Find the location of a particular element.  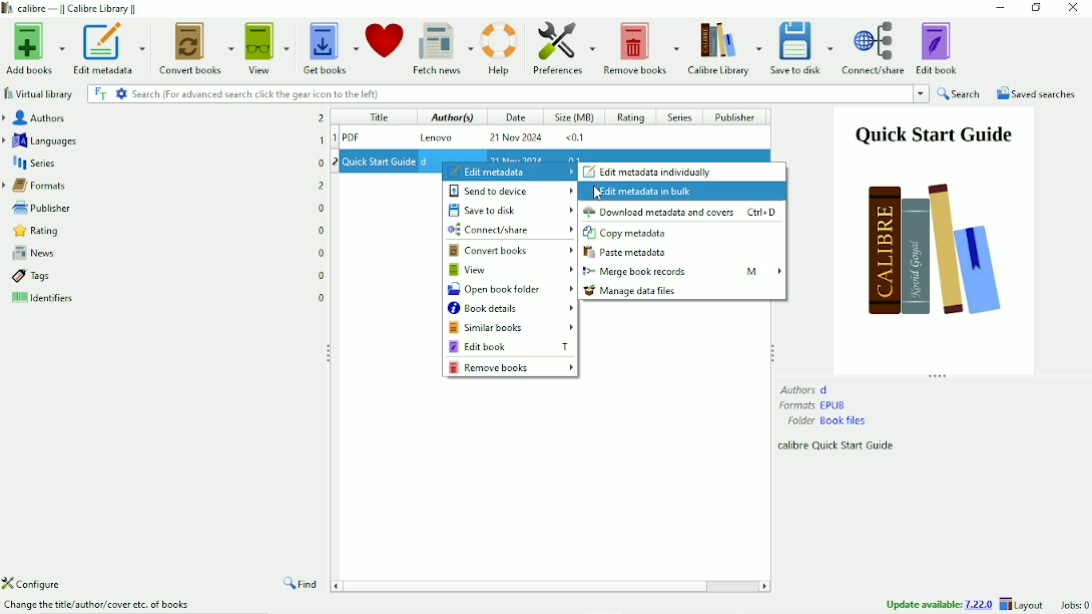

Remove books is located at coordinates (640, 47).